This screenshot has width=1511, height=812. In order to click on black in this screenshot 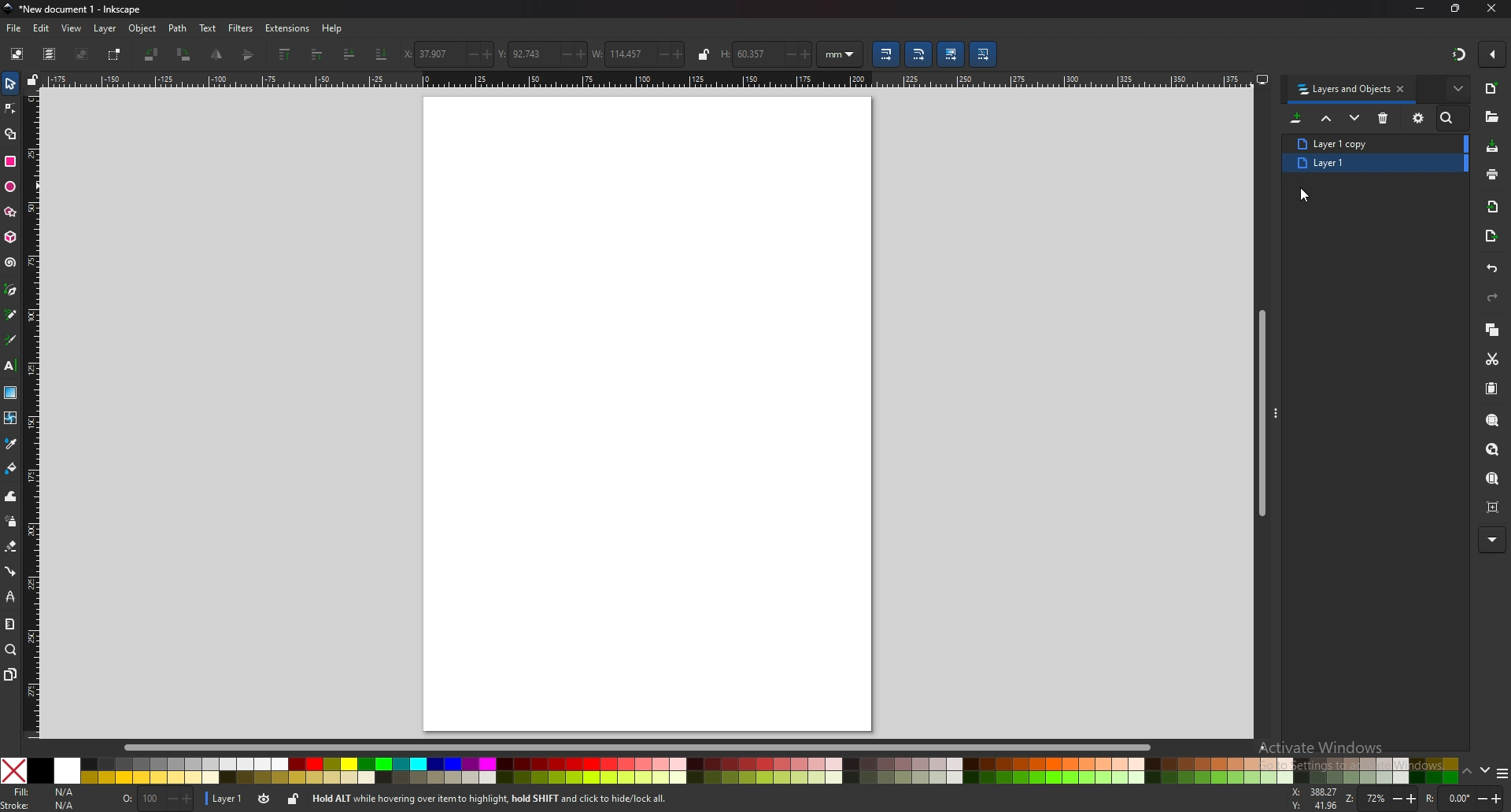, I will do `click(40, 770)`.